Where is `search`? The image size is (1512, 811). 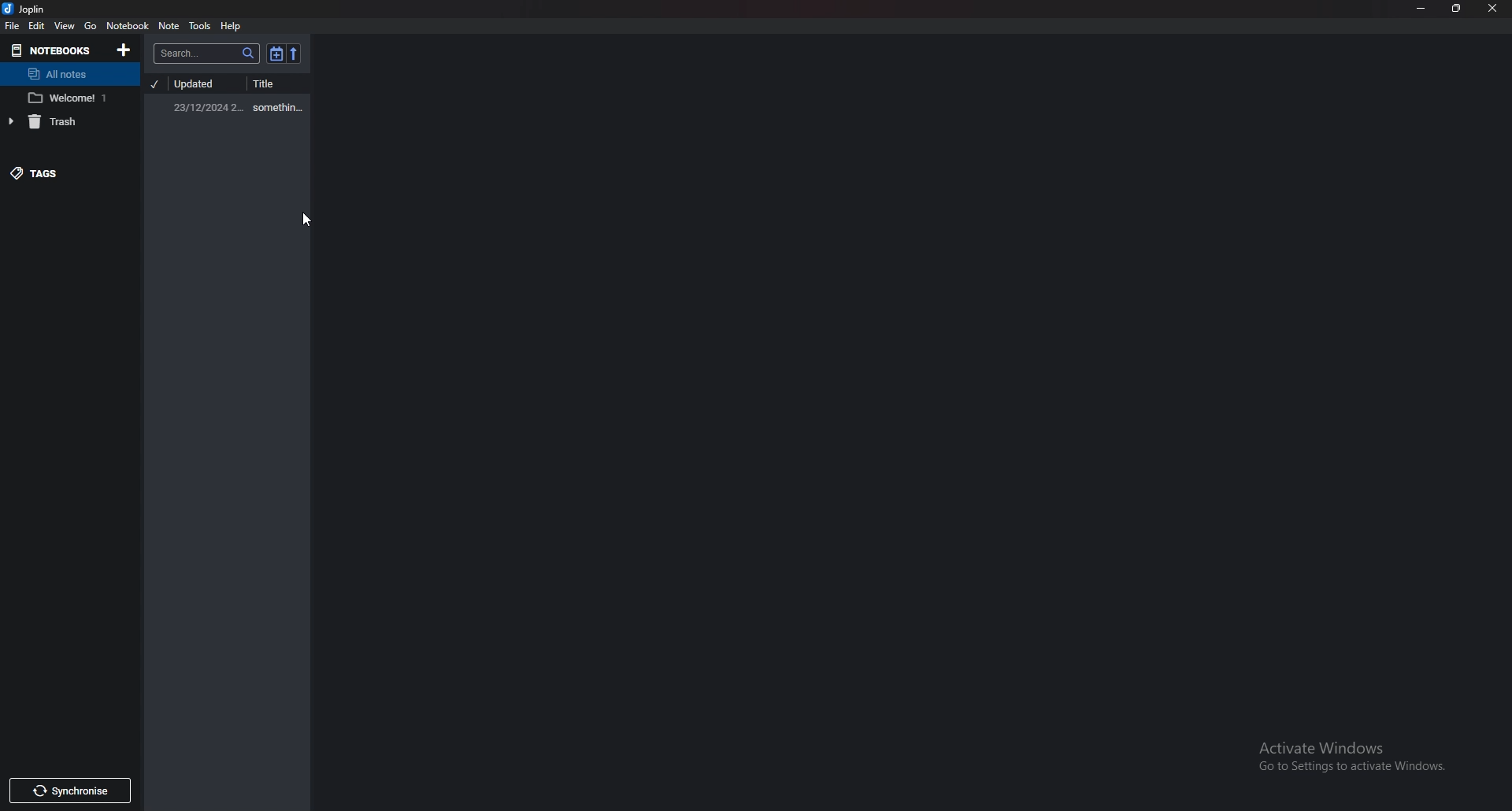 search is located at coordinates (208, 54).